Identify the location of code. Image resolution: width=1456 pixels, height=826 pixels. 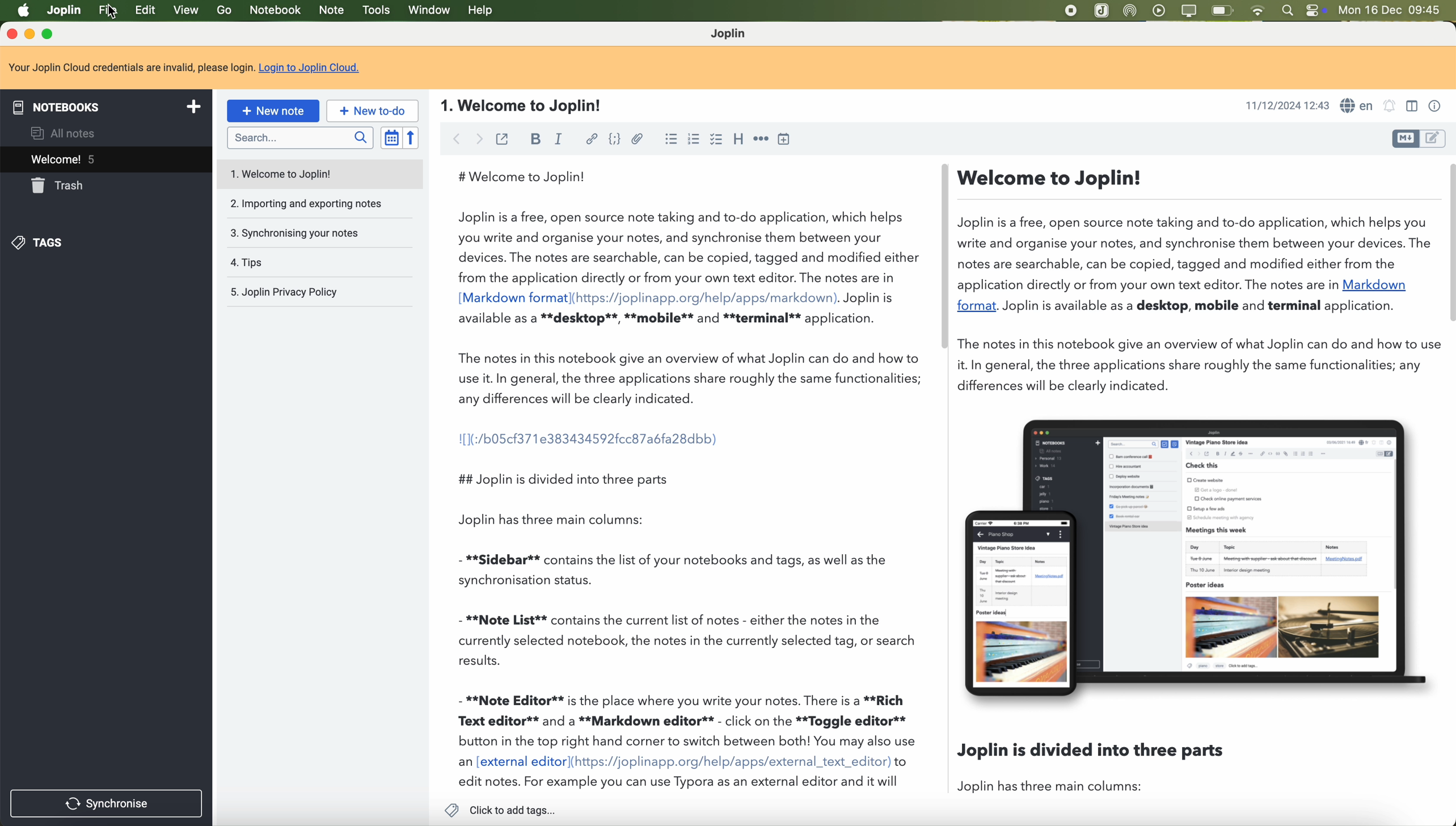
(614, 138).